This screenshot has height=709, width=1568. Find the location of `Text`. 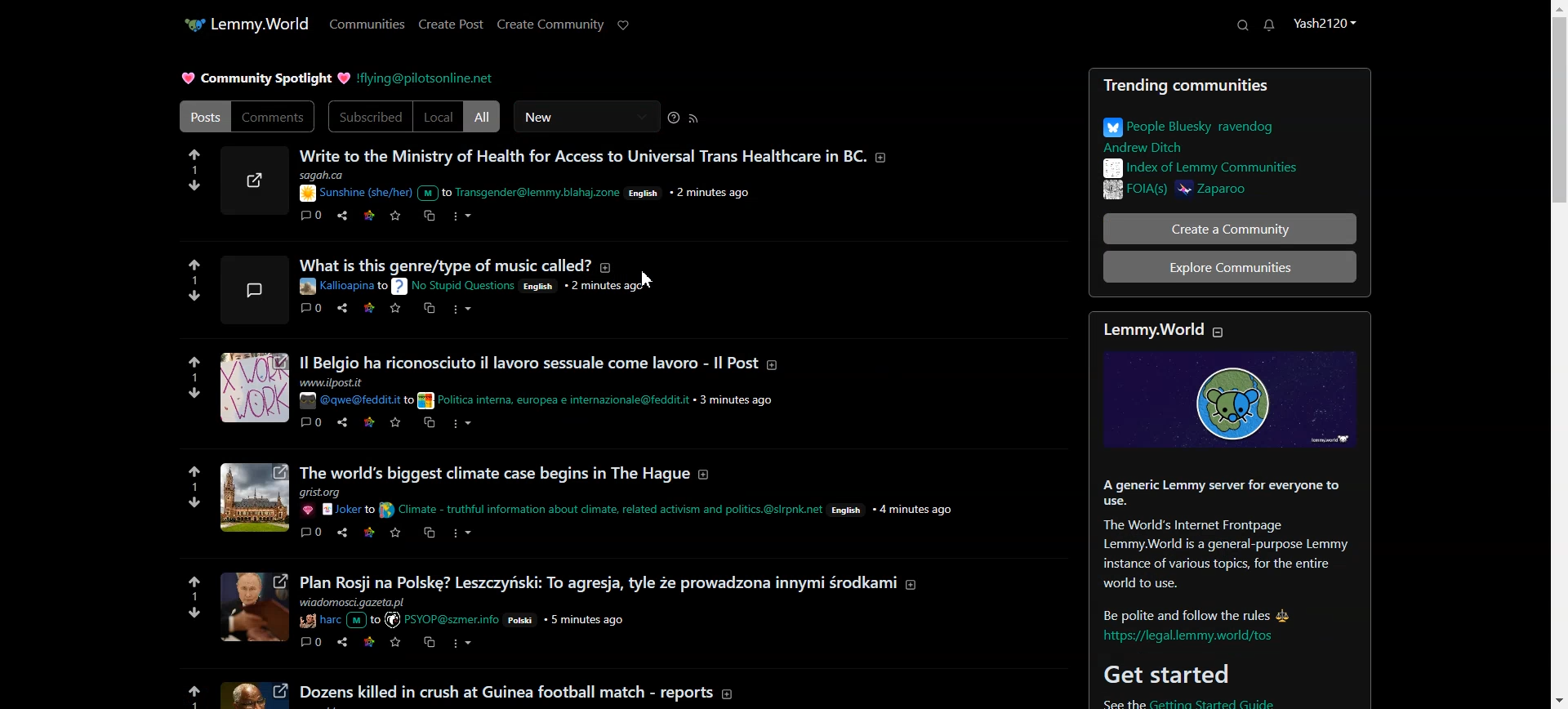

Text is located at coordinates (581, 155).